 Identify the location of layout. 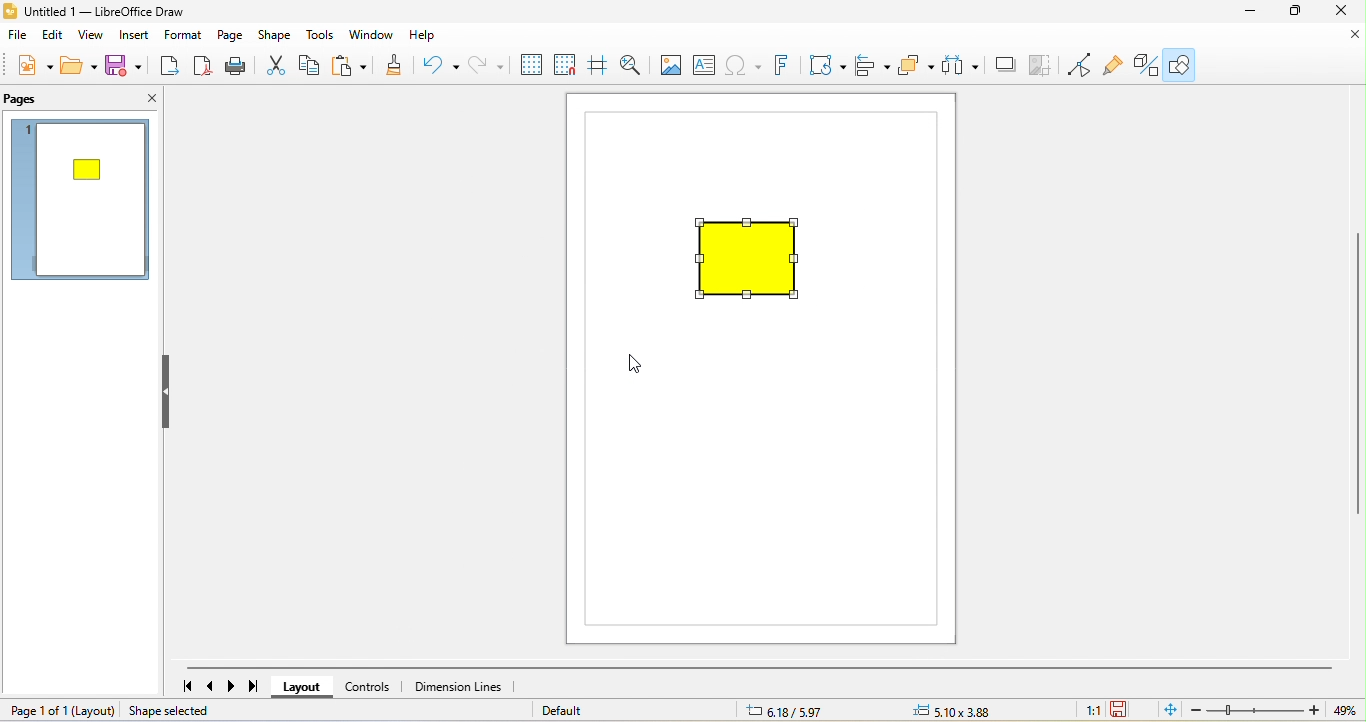
(305, 689).